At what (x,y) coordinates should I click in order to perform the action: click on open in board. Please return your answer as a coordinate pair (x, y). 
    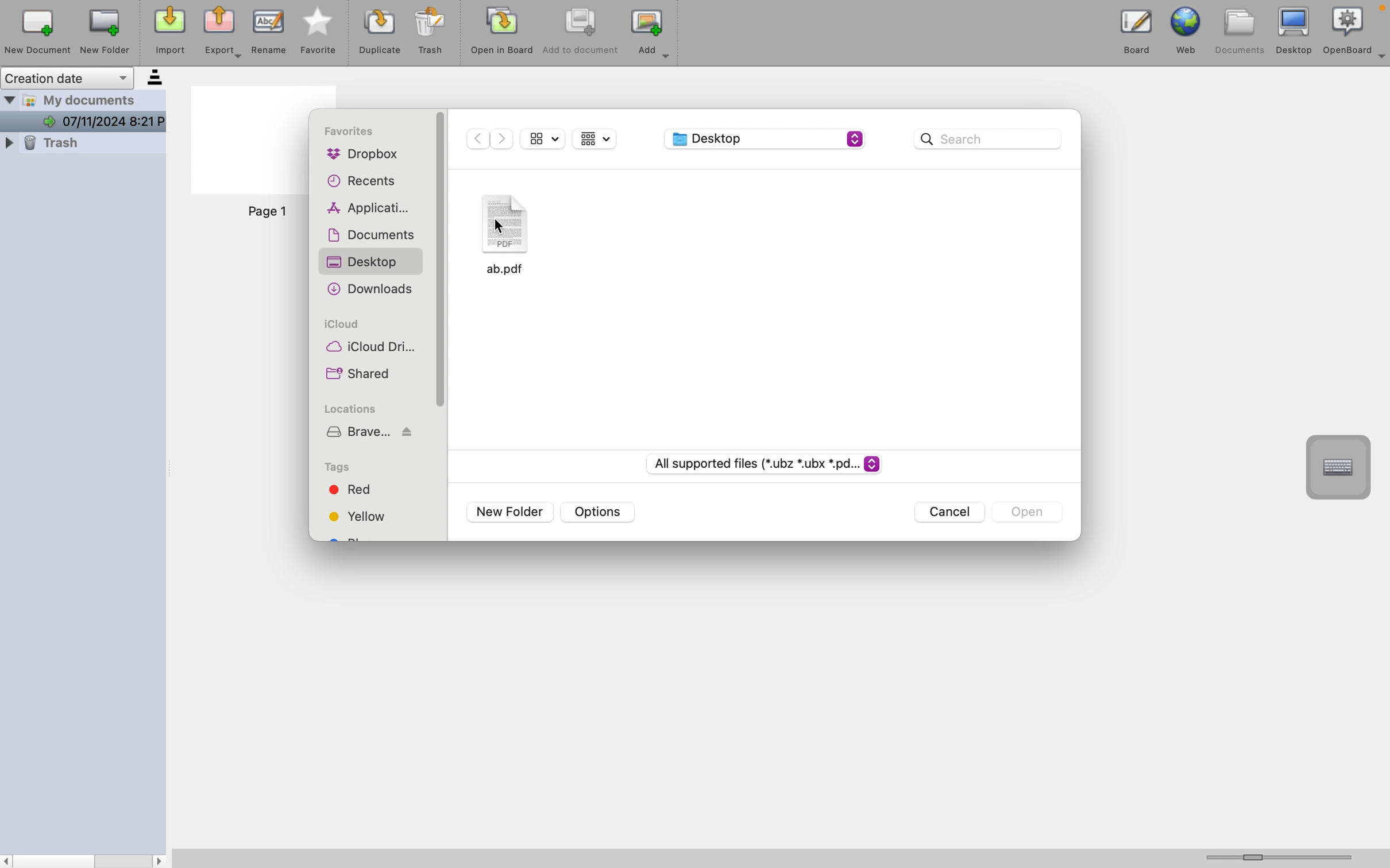
    Looking at the image, I should click on (503, 35).